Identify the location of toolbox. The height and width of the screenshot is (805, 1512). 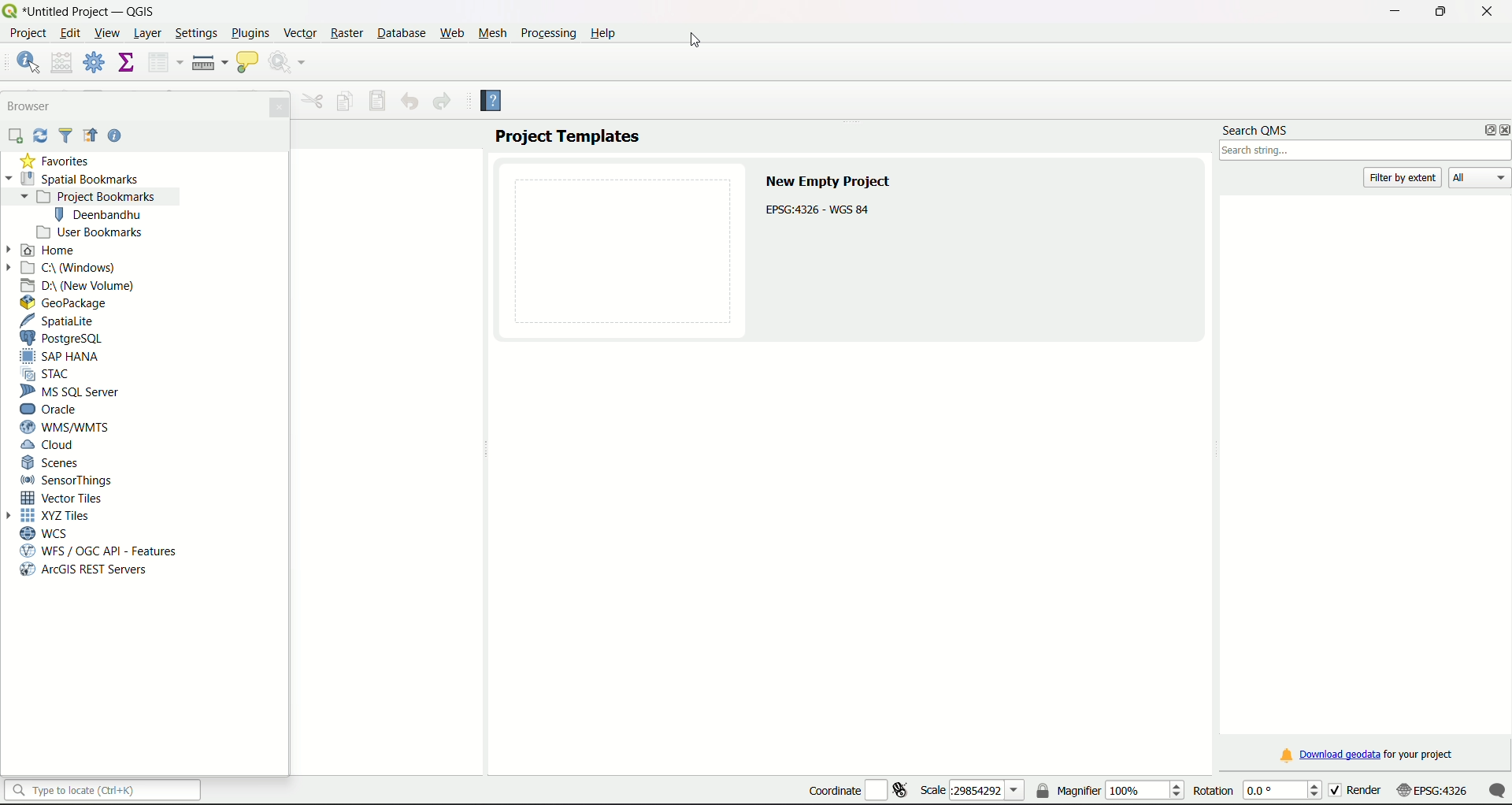
(94, 62).